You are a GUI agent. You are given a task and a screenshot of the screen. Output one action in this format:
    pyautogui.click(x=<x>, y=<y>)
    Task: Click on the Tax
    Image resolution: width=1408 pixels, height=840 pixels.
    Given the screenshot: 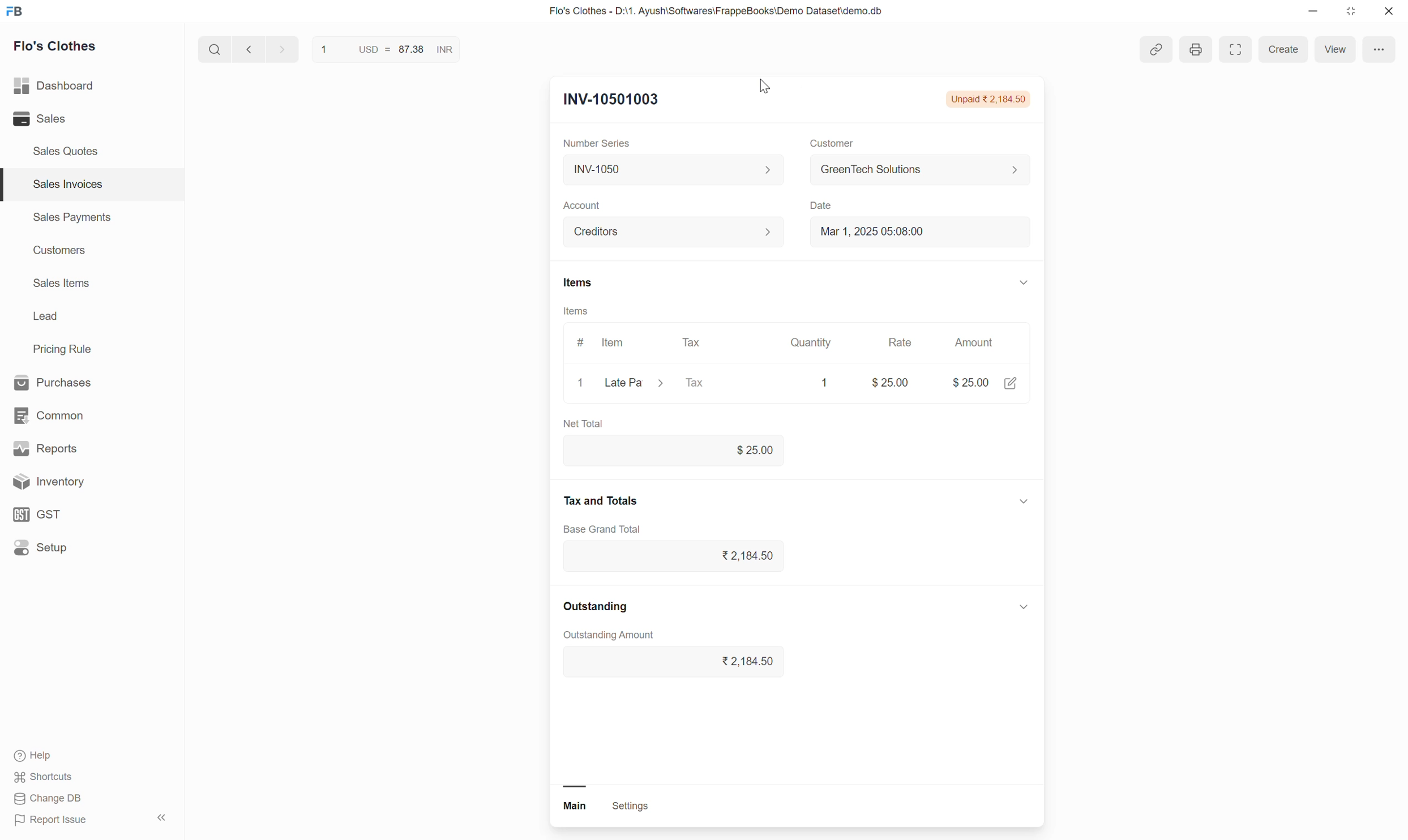 What is the action you would take?
    pyautogui.click(x=693, y=343)
    